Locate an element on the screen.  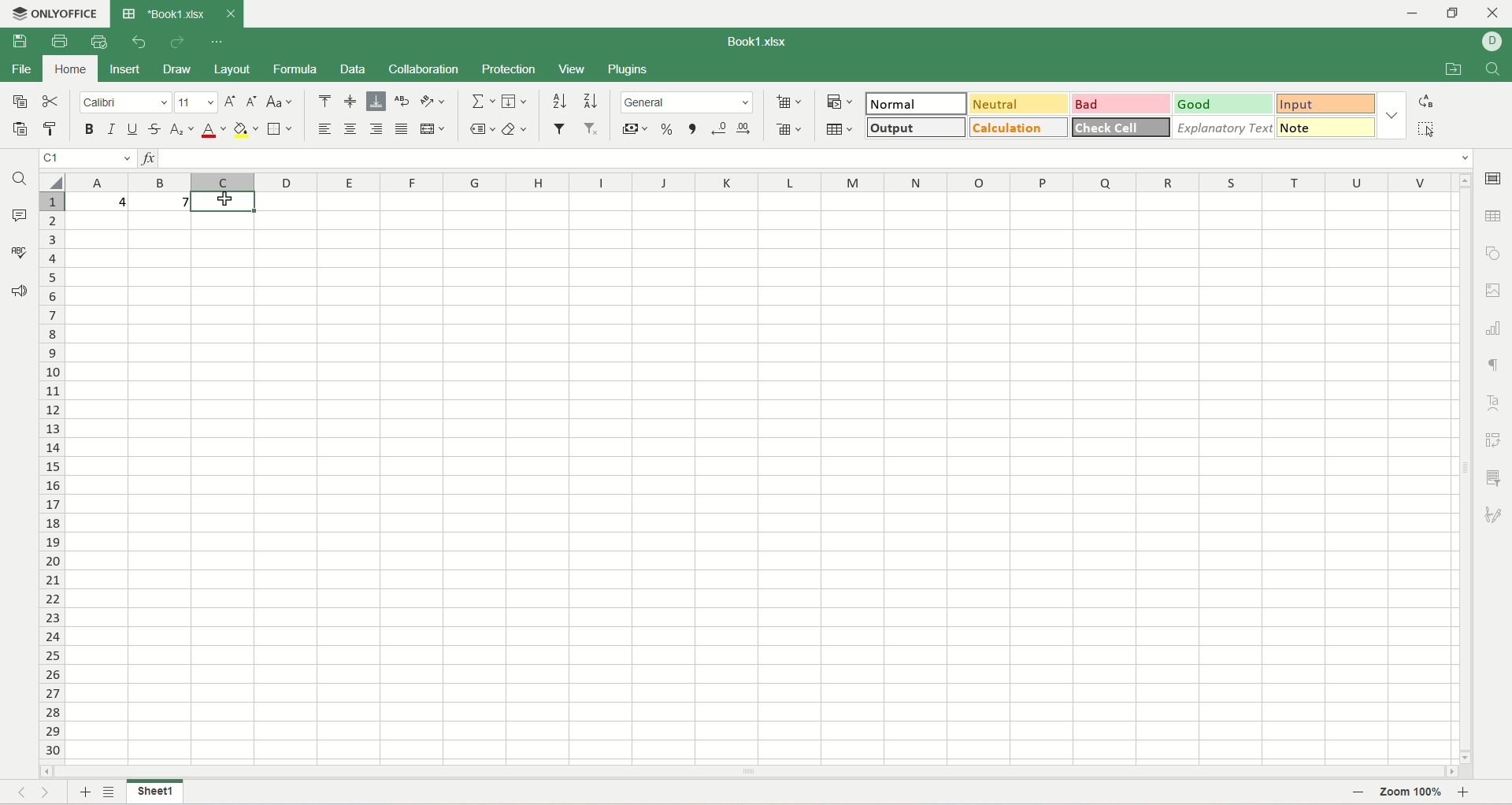
align top is located at coordinates (325, 102).